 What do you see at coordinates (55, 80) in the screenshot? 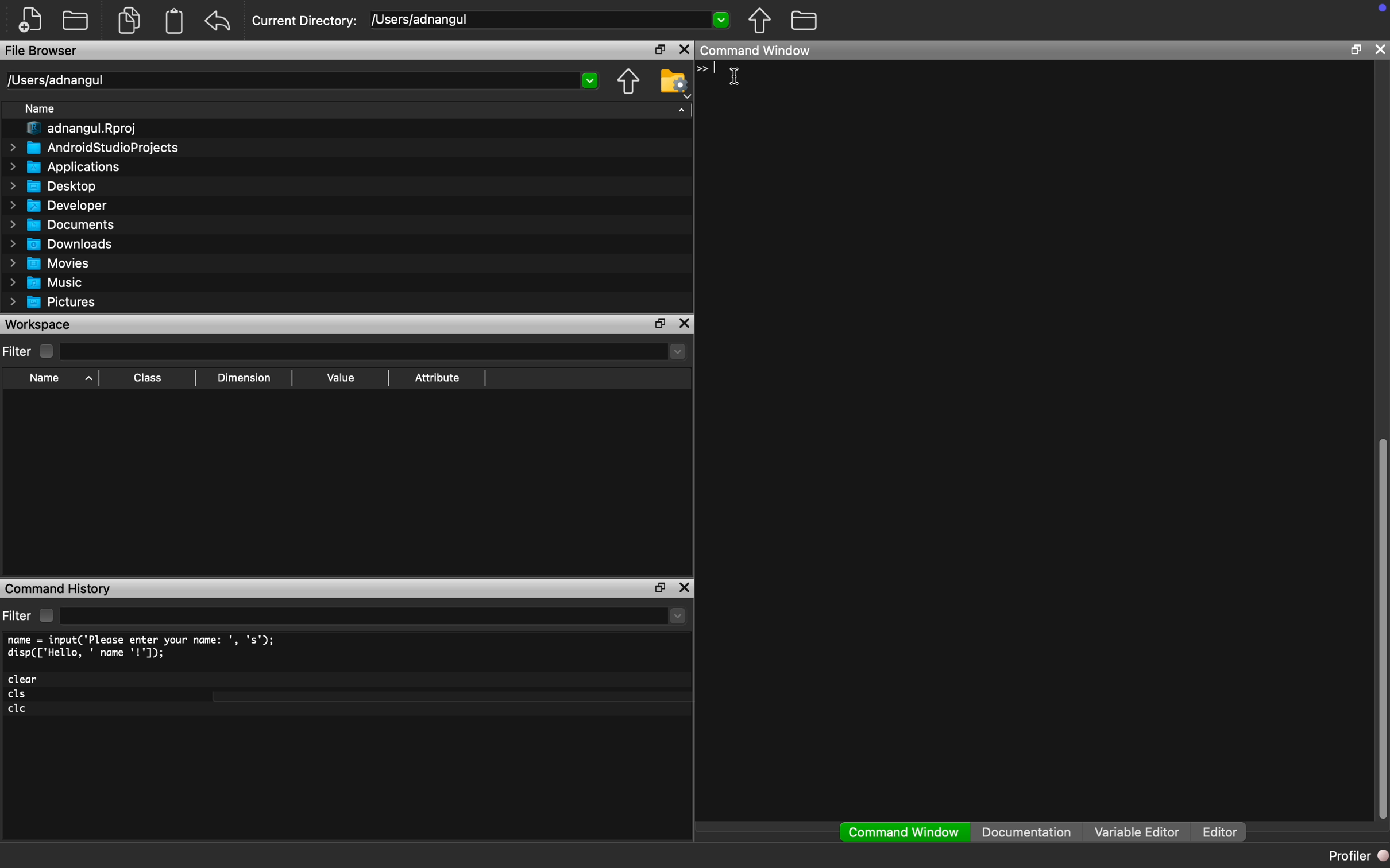
I see `Users/adnangul` at bounding box center [55, 80].